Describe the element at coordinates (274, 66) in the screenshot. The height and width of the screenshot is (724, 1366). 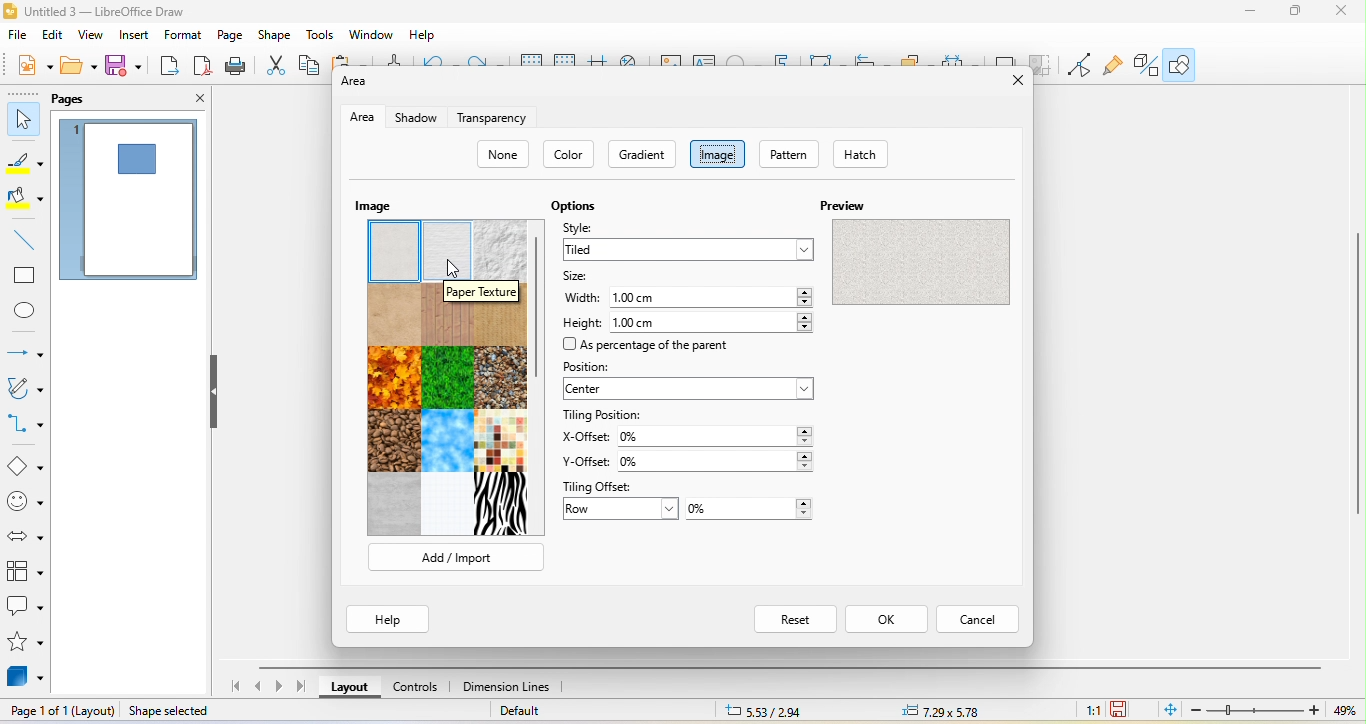
I see `cut` at that location.